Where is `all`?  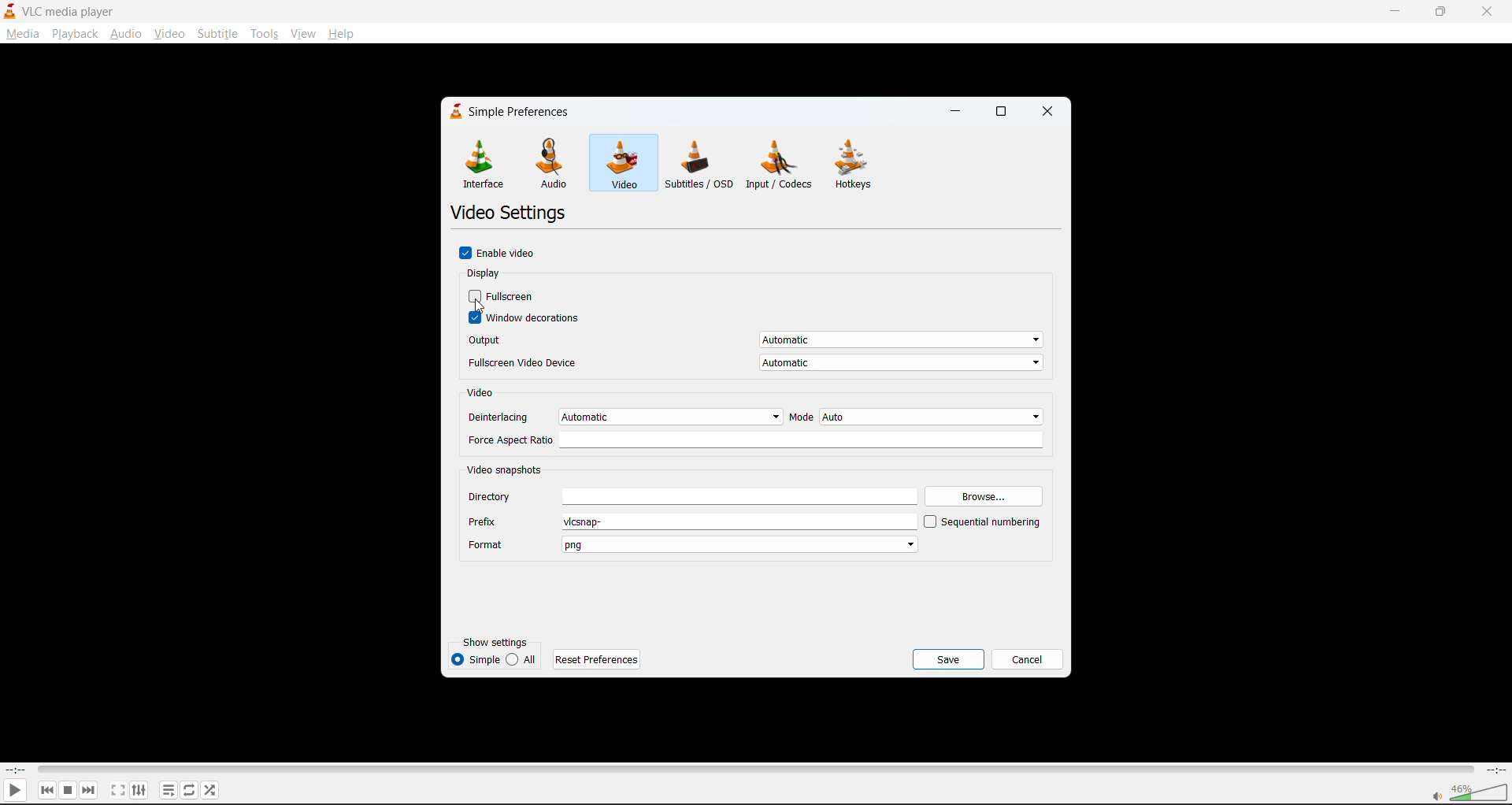 all is located at coordinates (521, 659).